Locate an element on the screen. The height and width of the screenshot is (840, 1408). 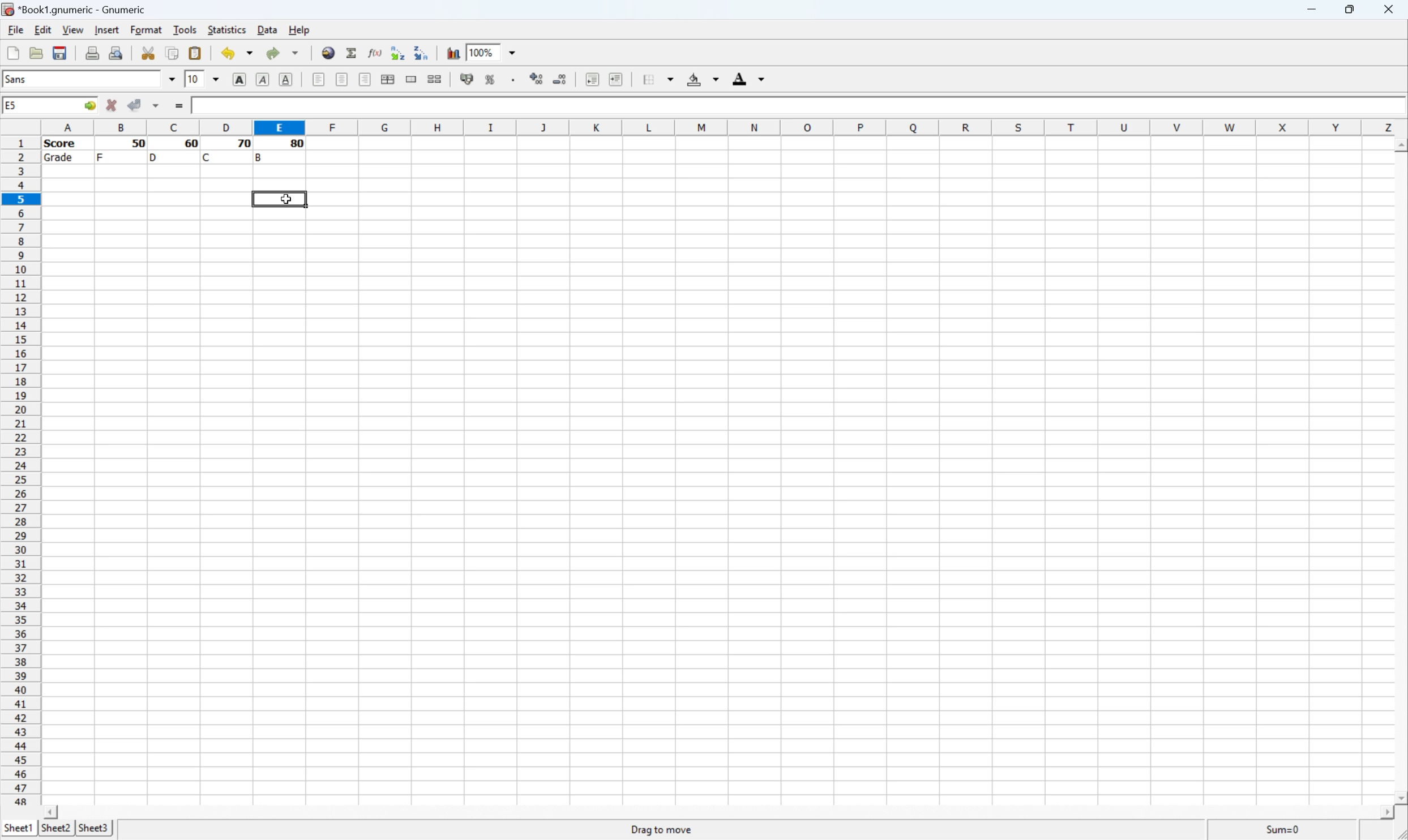
cells is located at coordinates (718, 485).